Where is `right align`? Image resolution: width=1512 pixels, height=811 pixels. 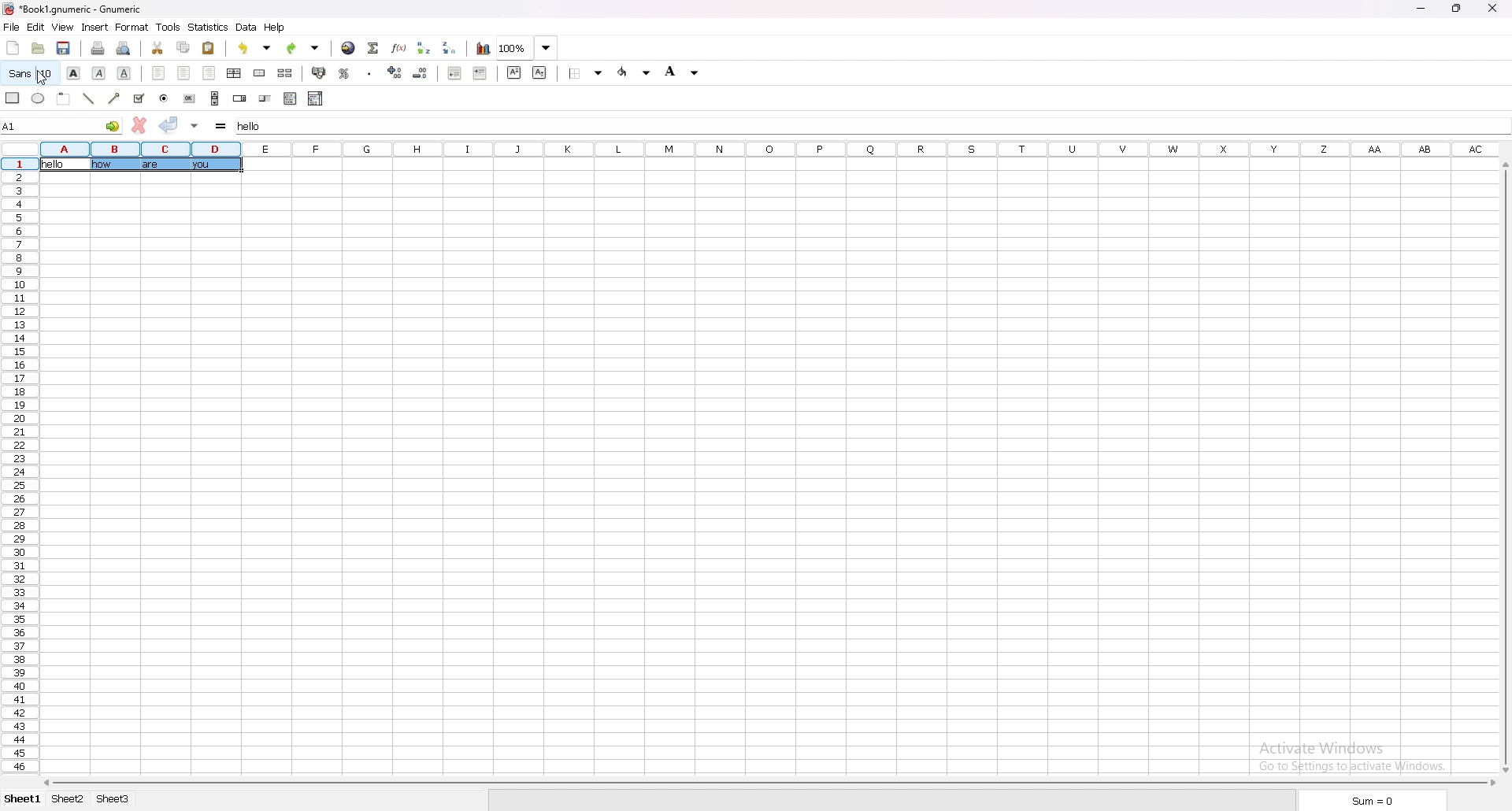
right align is located at coordinates (209, 73).